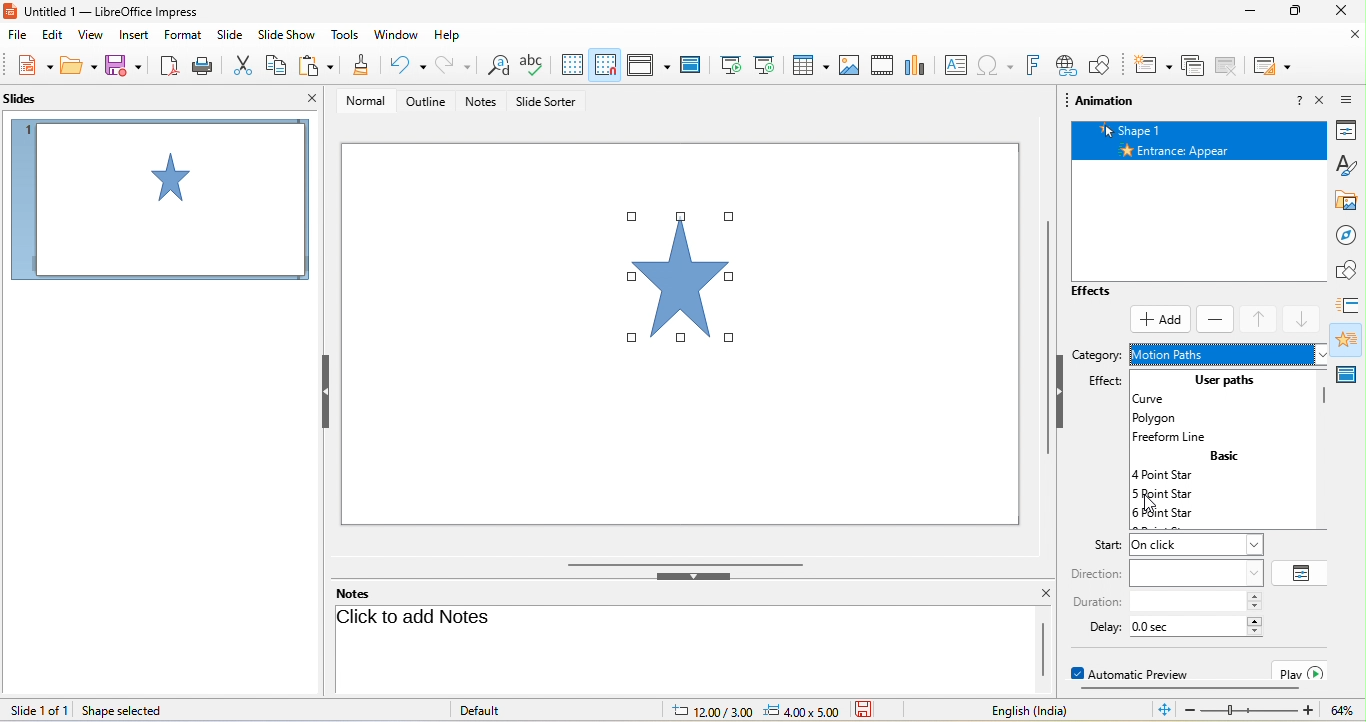 This screenshot has height=722, width=1366. What do you see at coordinates (1299, 99) in the screenshot?
I see `help` at bounding box center [1299, 99].